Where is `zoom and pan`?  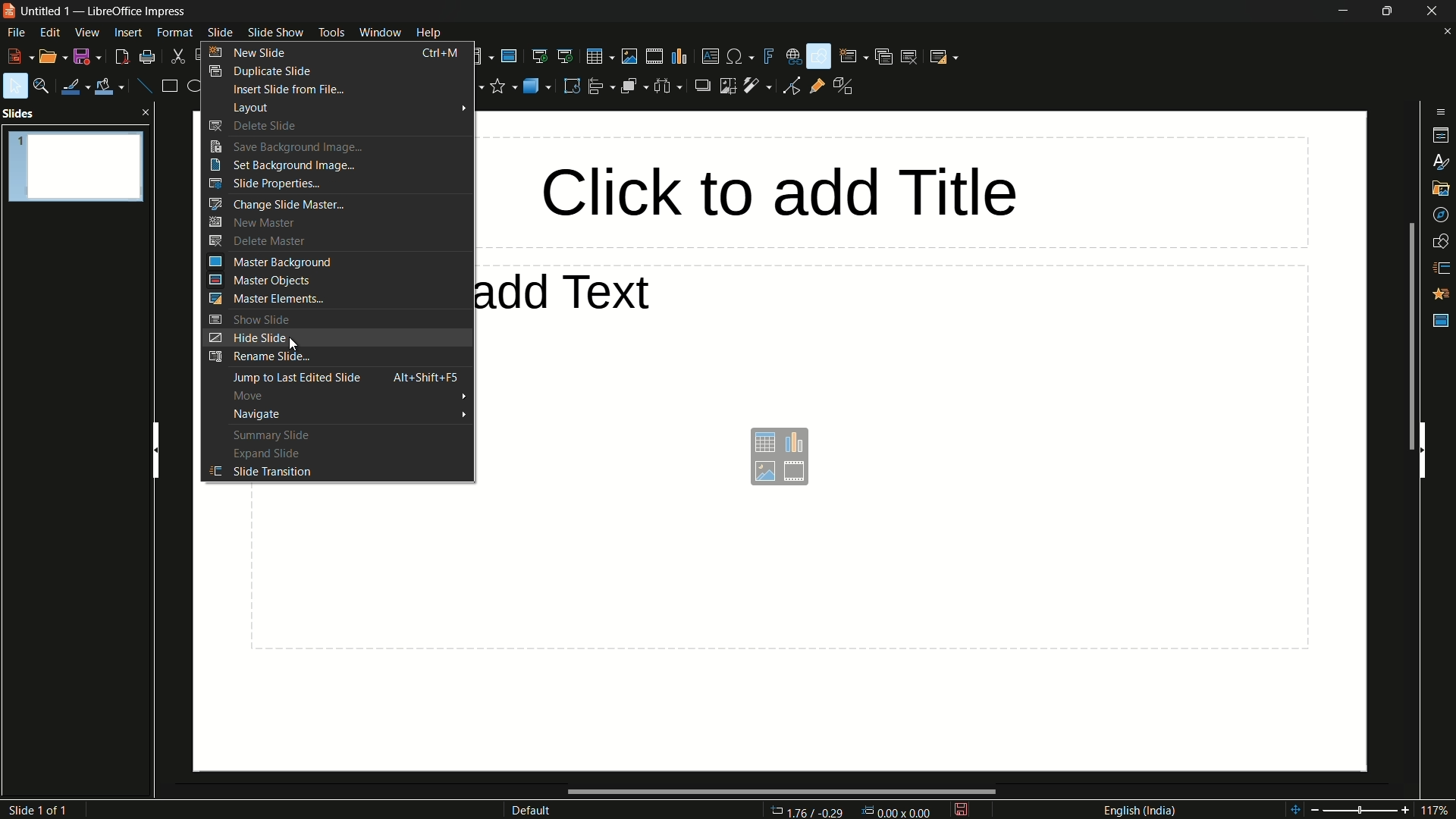
zoom and pan is located at coordinates (42, 88).